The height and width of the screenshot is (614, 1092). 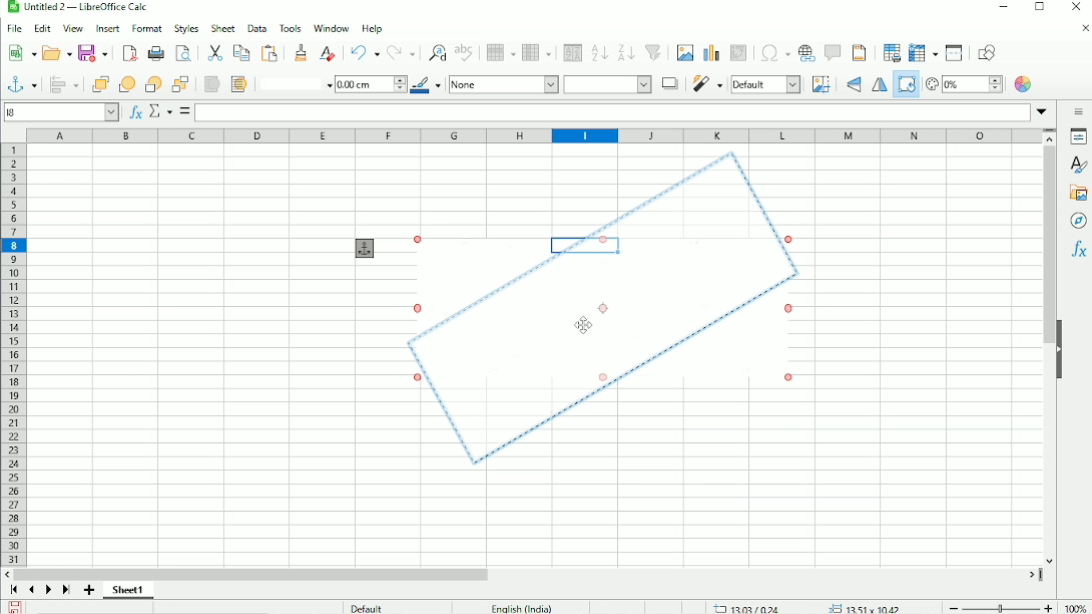 I want to click on Save, so click(x=15, y=607).